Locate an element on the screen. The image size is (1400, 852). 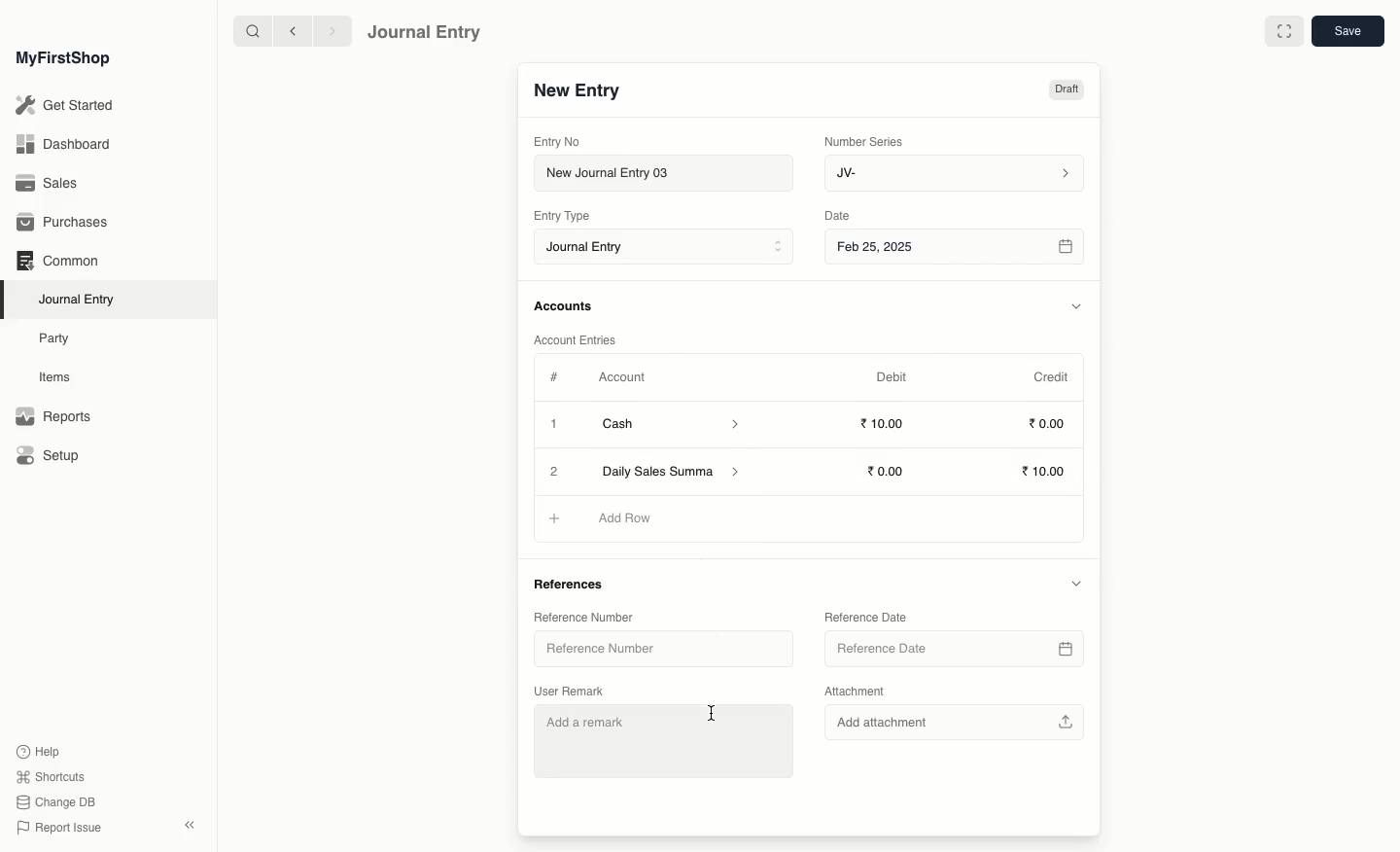
search is located at coordinates (248, 31).